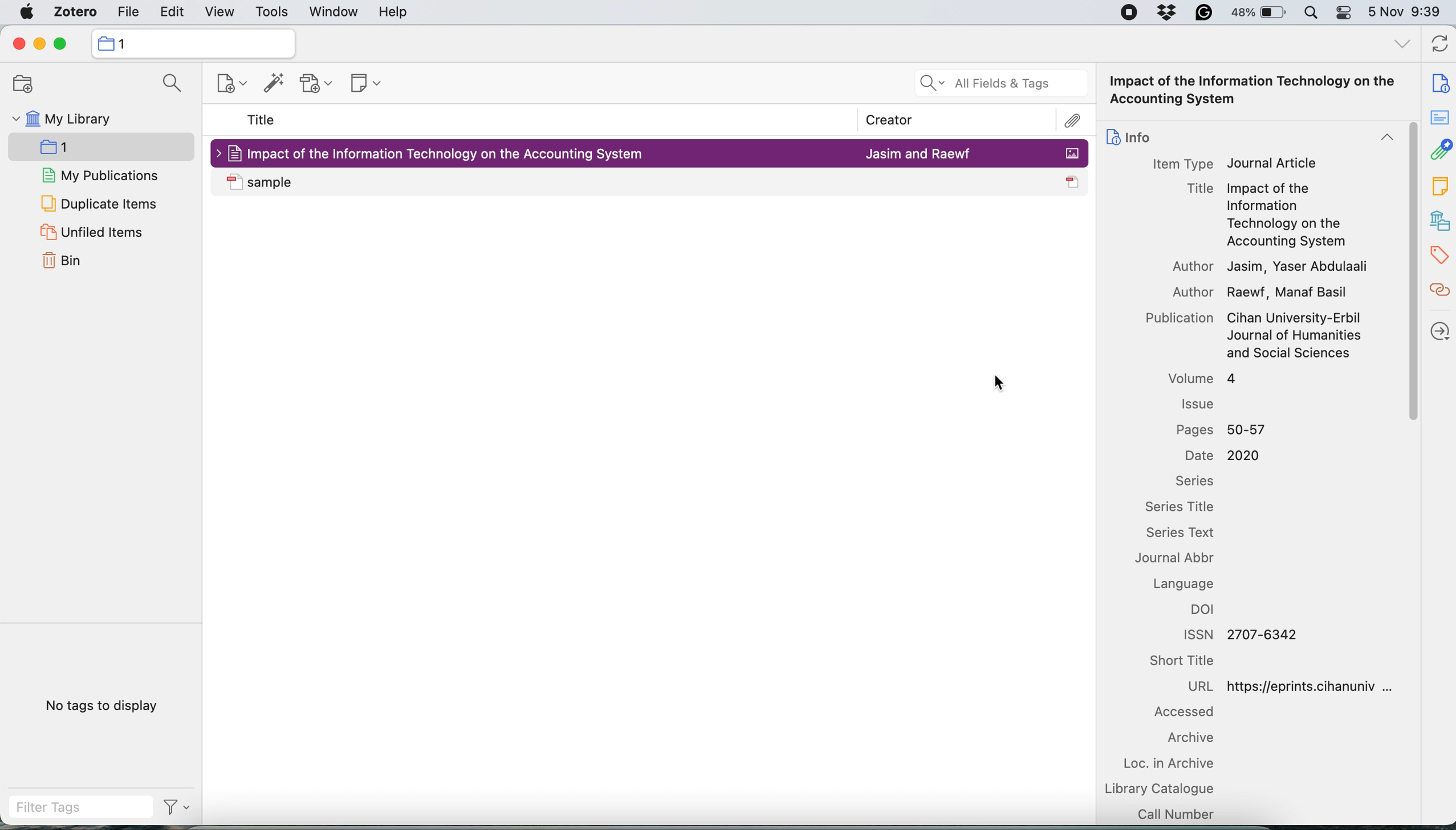 This screenshot has height=830, width=1456. Describe the element at coordinates (129, 13) in the screenshot. I see `file` at that location.